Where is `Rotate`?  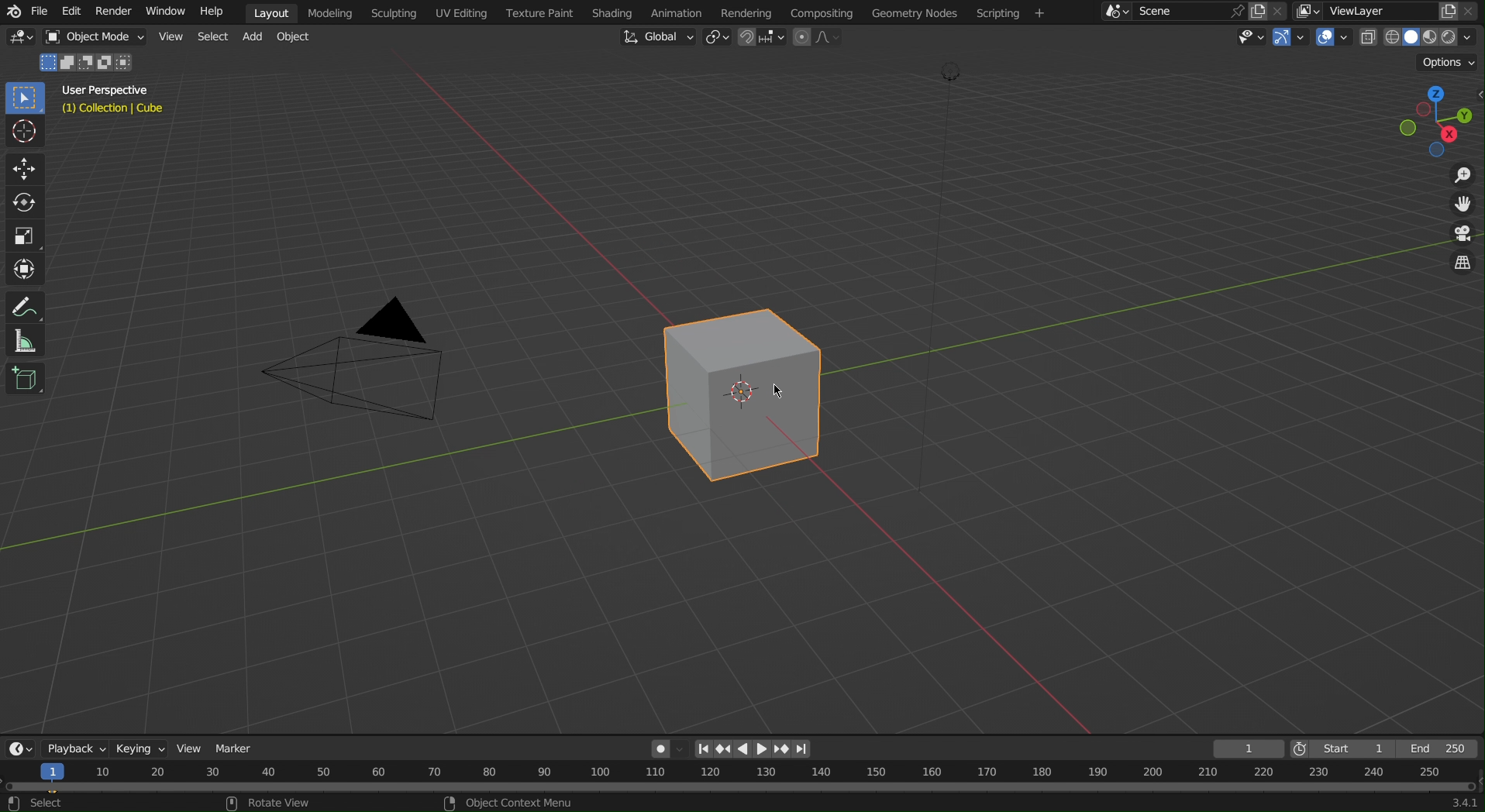
Rotate is located at coordinates (24, 205).